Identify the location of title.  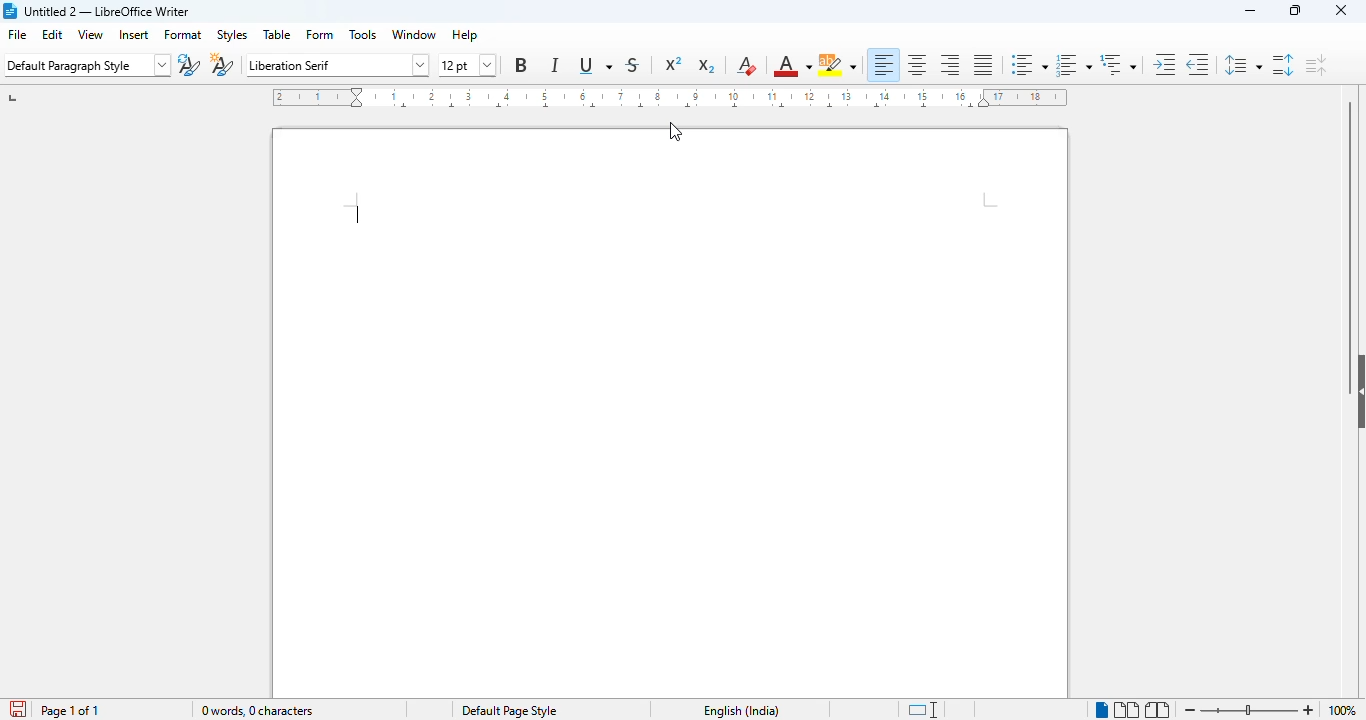
(108, 11).